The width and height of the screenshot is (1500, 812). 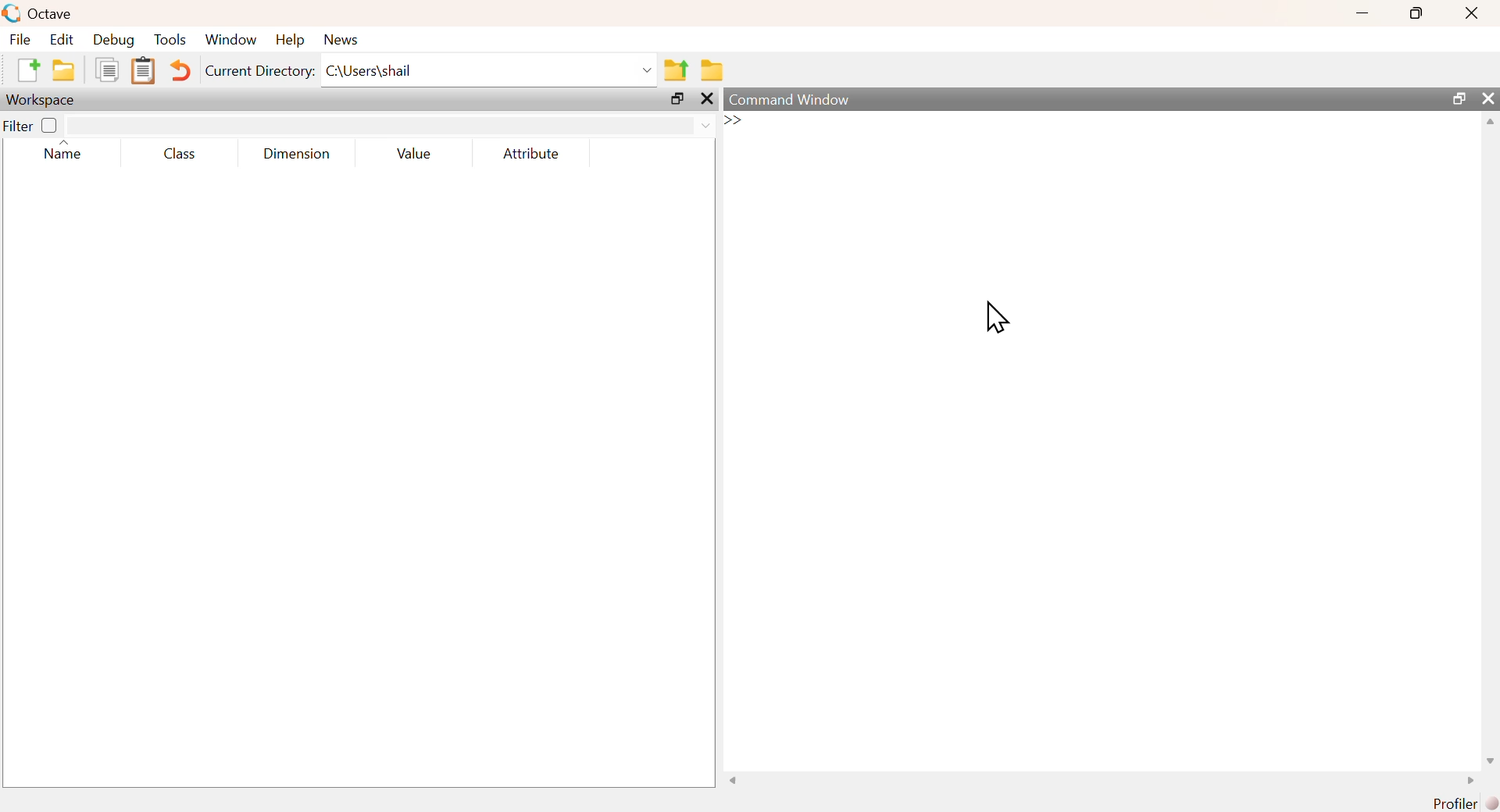 I want to click on News, so click(x=342, y=39).